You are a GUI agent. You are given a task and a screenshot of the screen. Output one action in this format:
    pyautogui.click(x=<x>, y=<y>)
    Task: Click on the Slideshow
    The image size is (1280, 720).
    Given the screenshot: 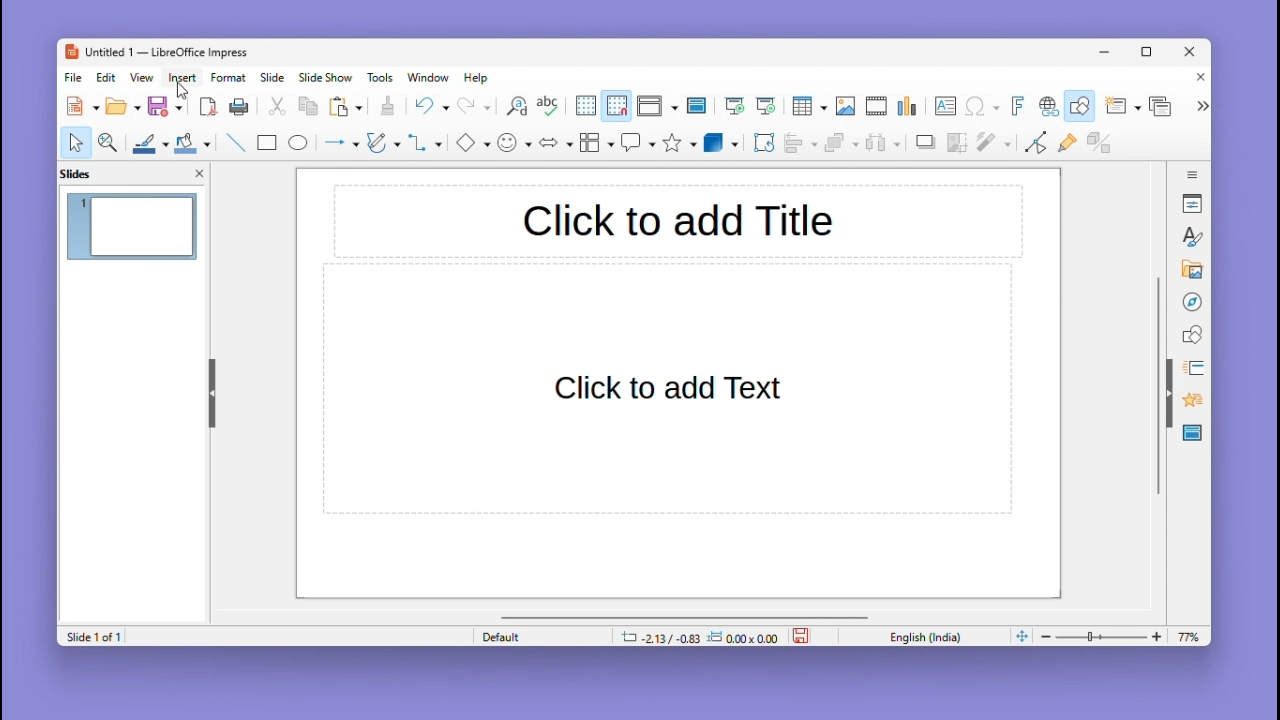 What is the action you would take?
    pyautogui.click(x=327, y=78)
    